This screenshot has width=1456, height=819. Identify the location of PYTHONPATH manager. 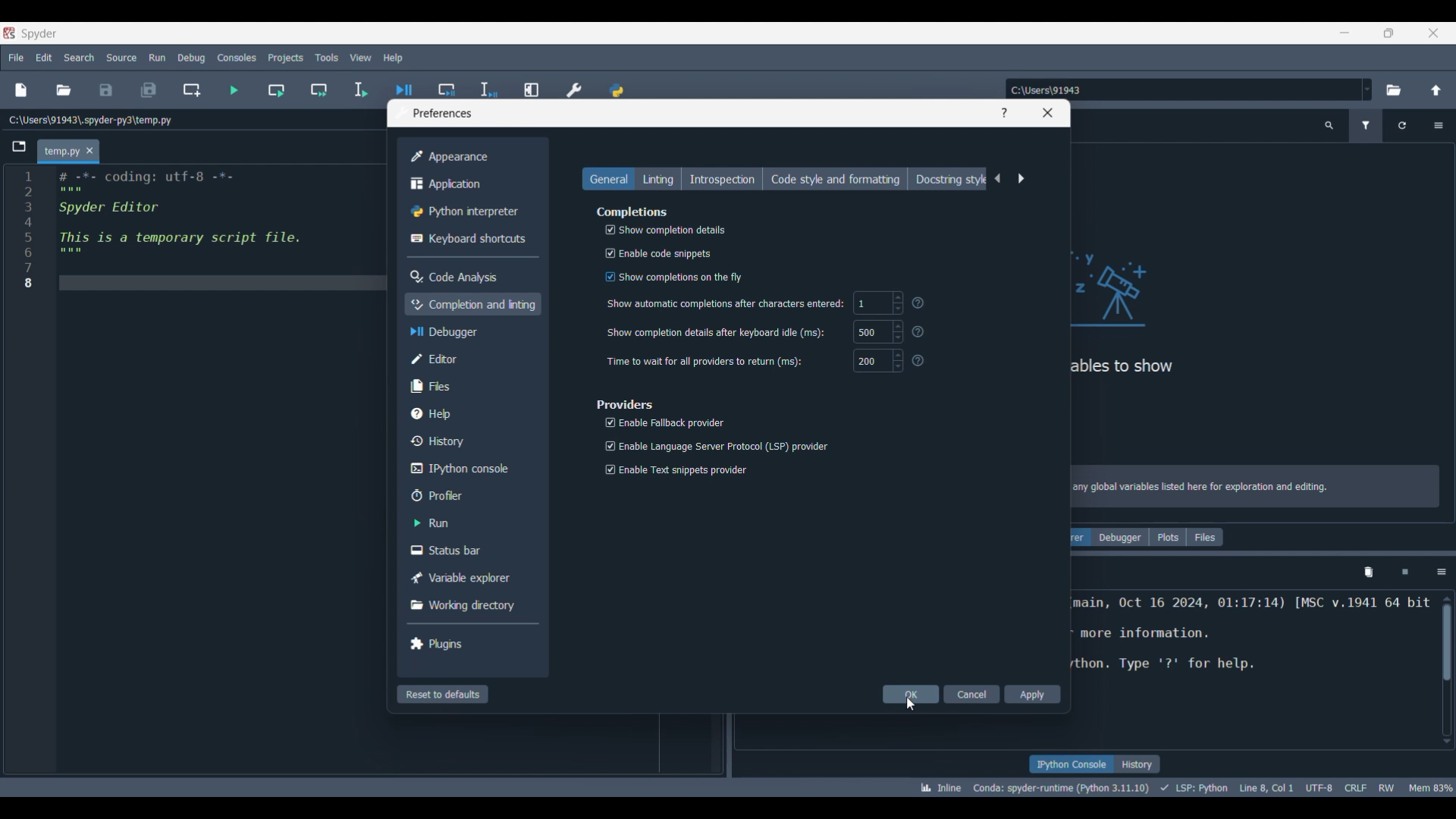
(617, 85).